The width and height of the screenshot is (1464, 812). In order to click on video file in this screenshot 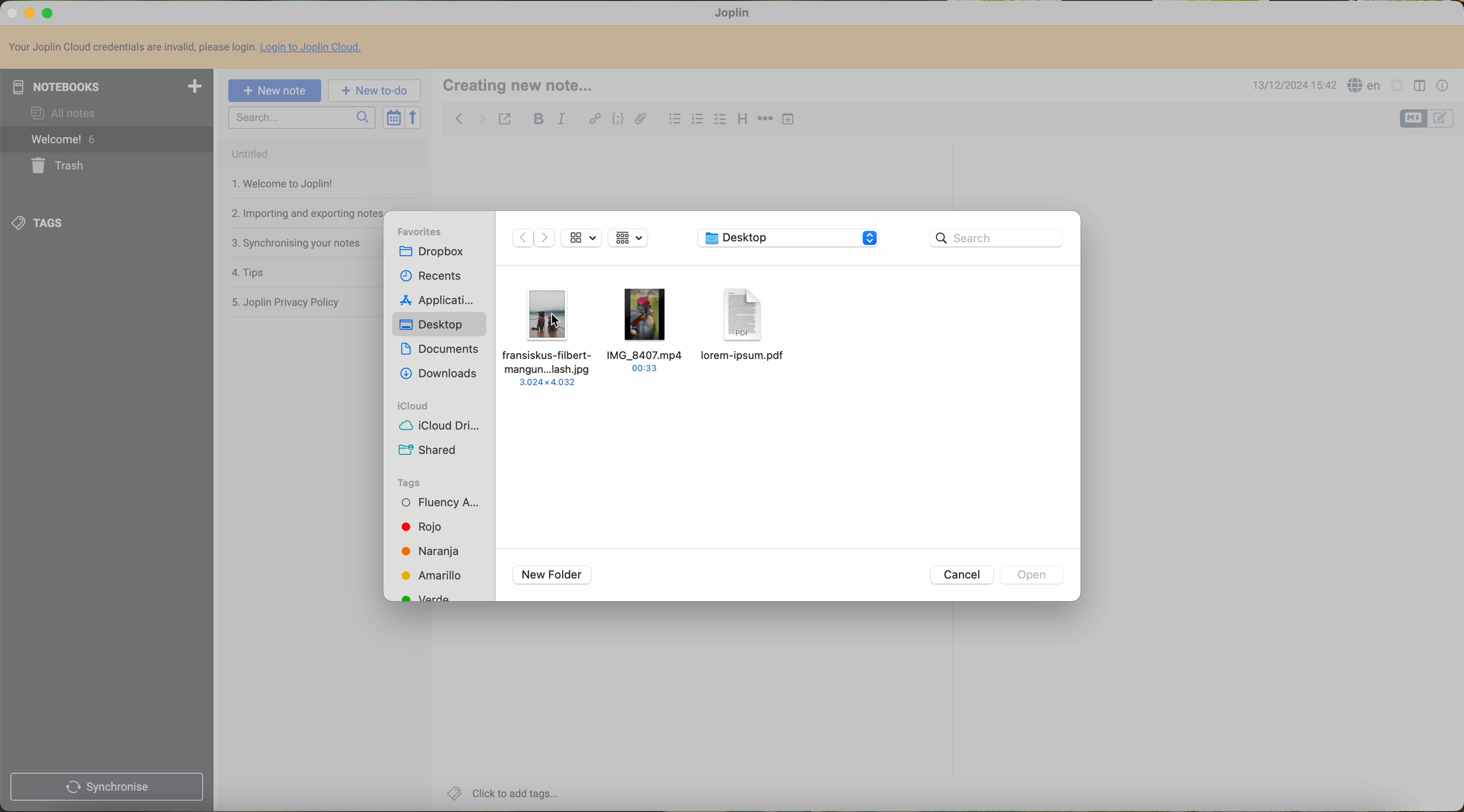, I will do `click(648, 330)`.